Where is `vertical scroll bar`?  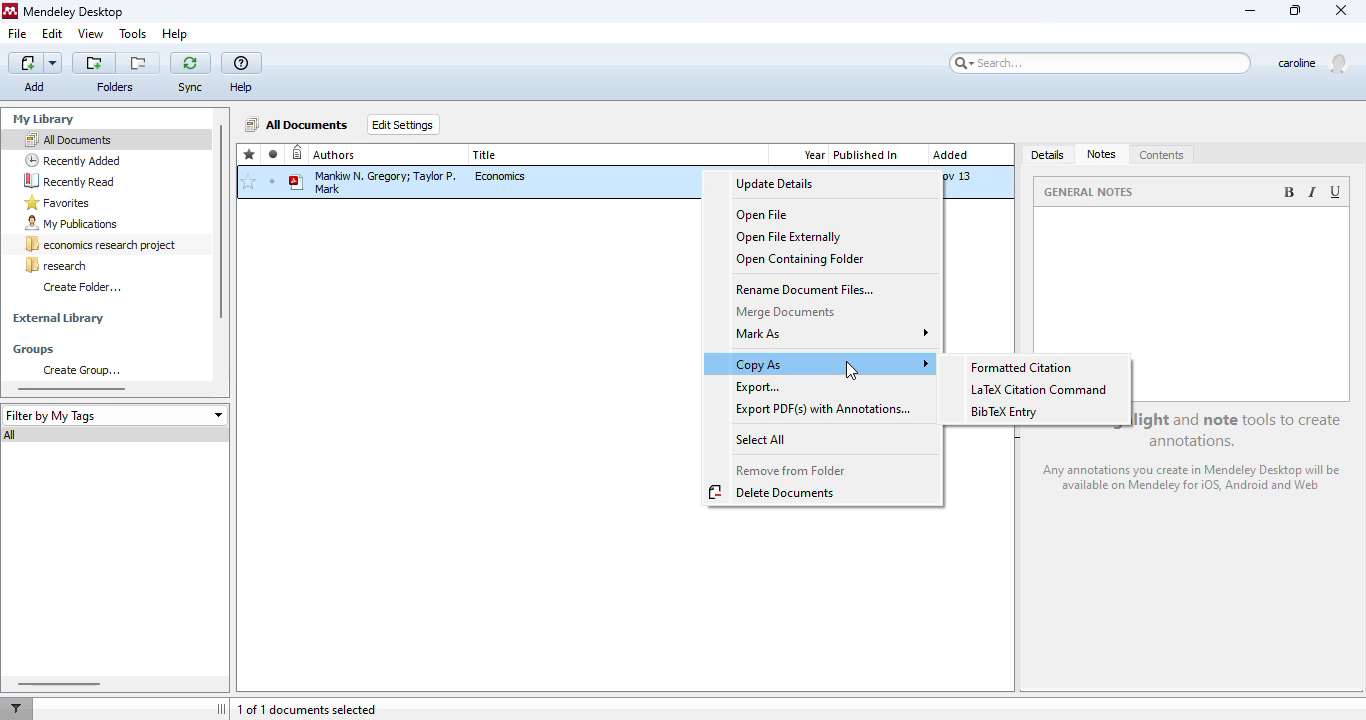
vertical scroll bar is located at coordinates (220, 222).